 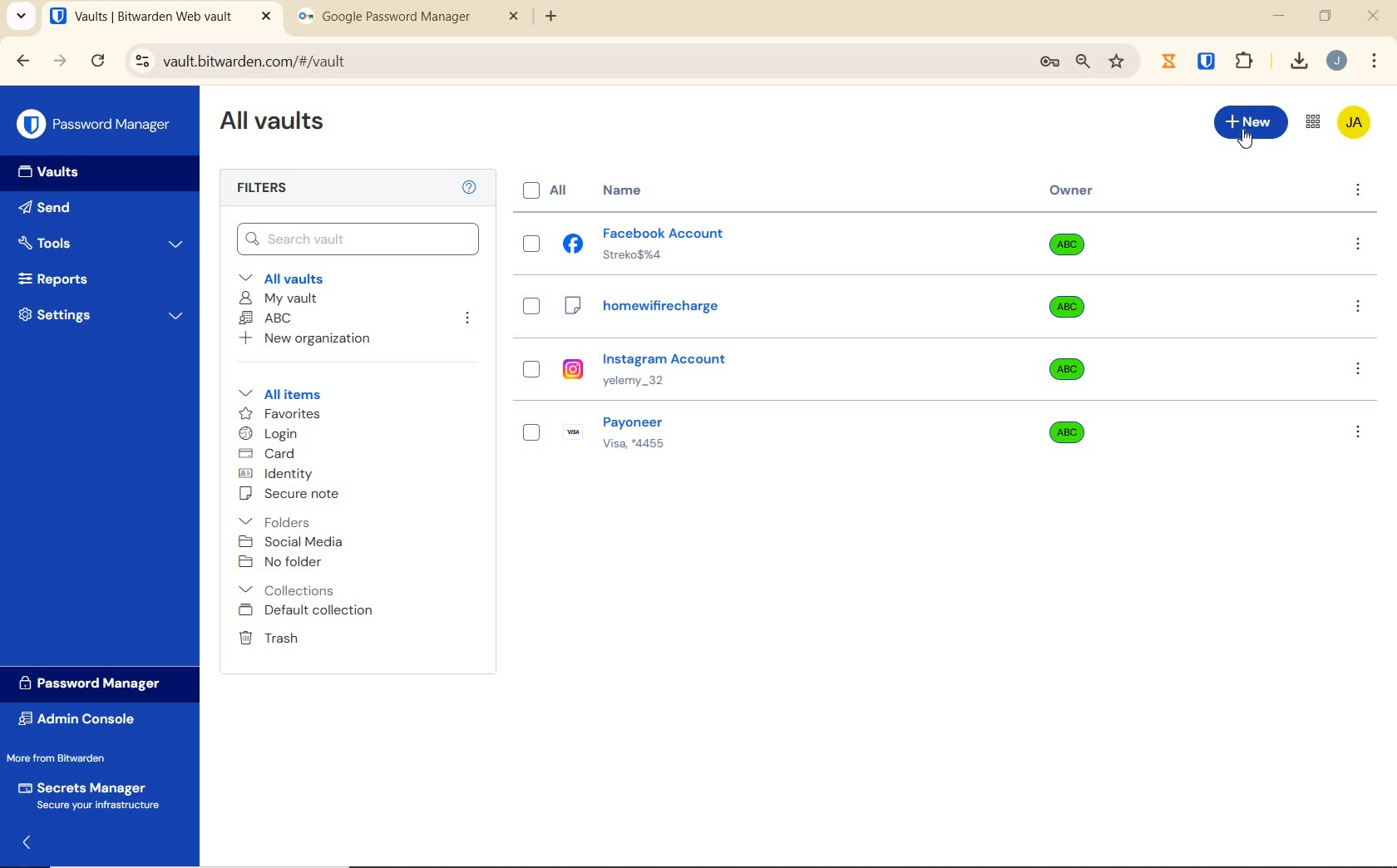 I want to click on bookmark, so click(x=1118, y=61).